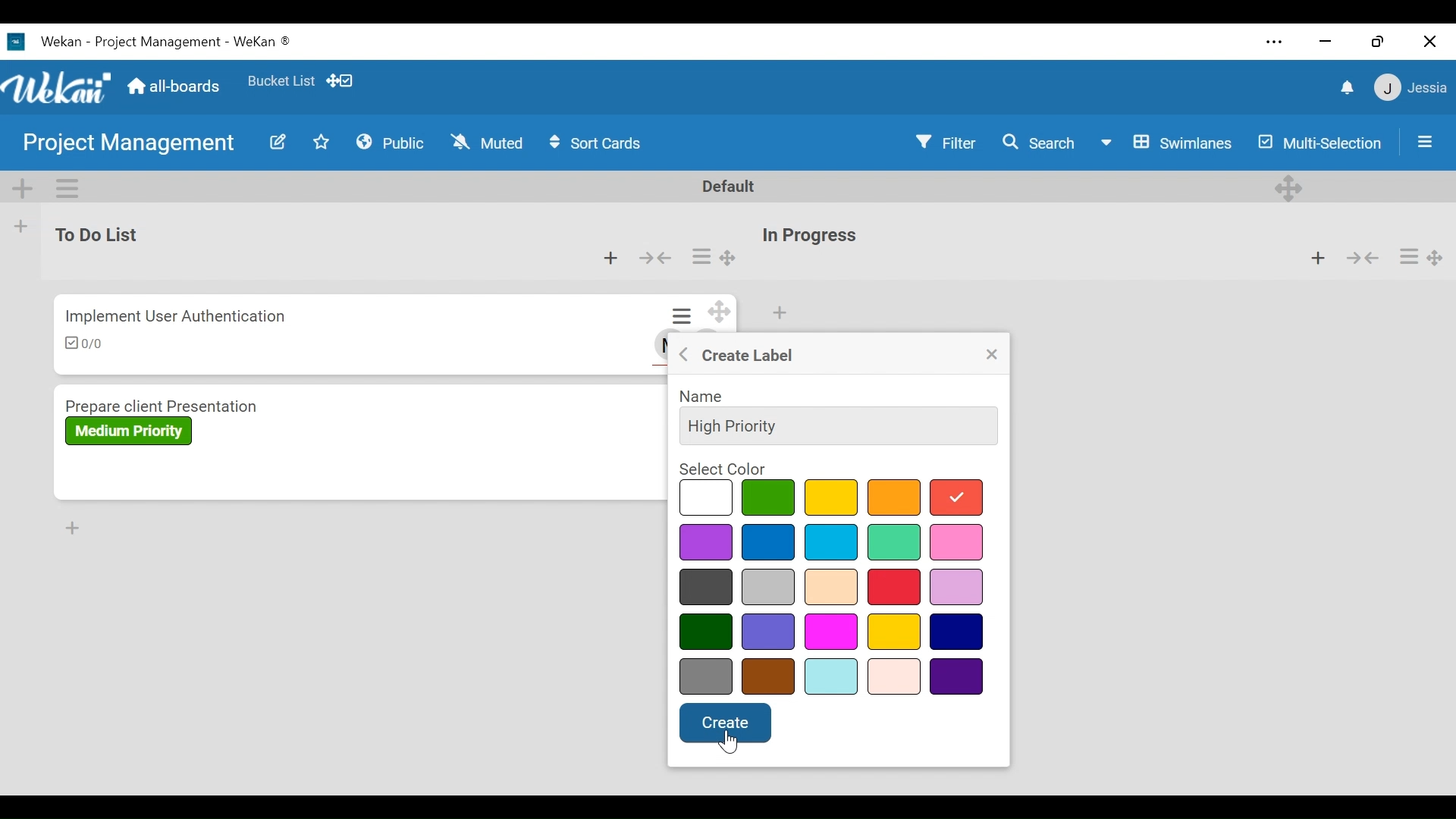  Describe the element at coordinates (993, 355) in the screenshot. I see `Close` at that location.